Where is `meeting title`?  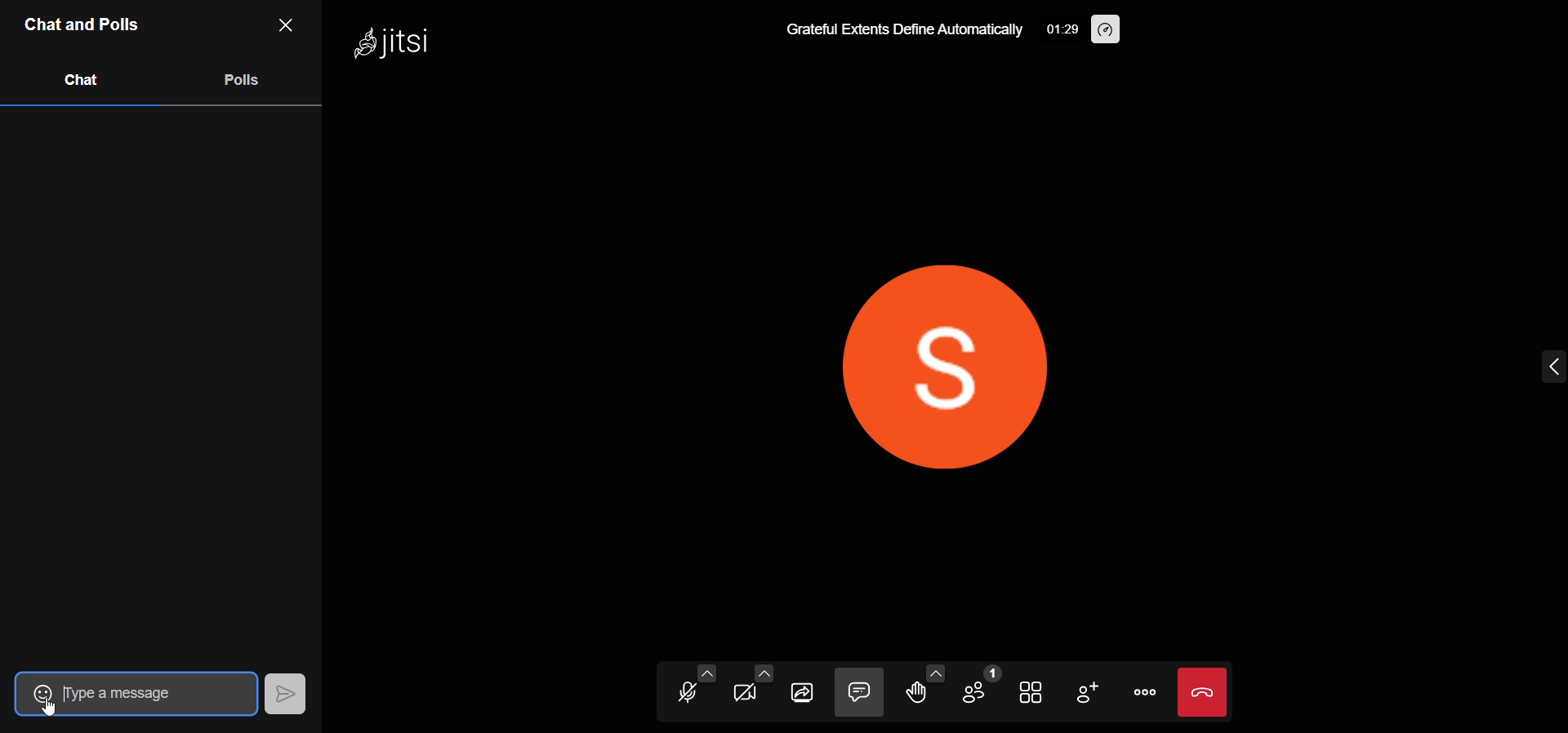
meeting title is located at coordinates (902, 29).